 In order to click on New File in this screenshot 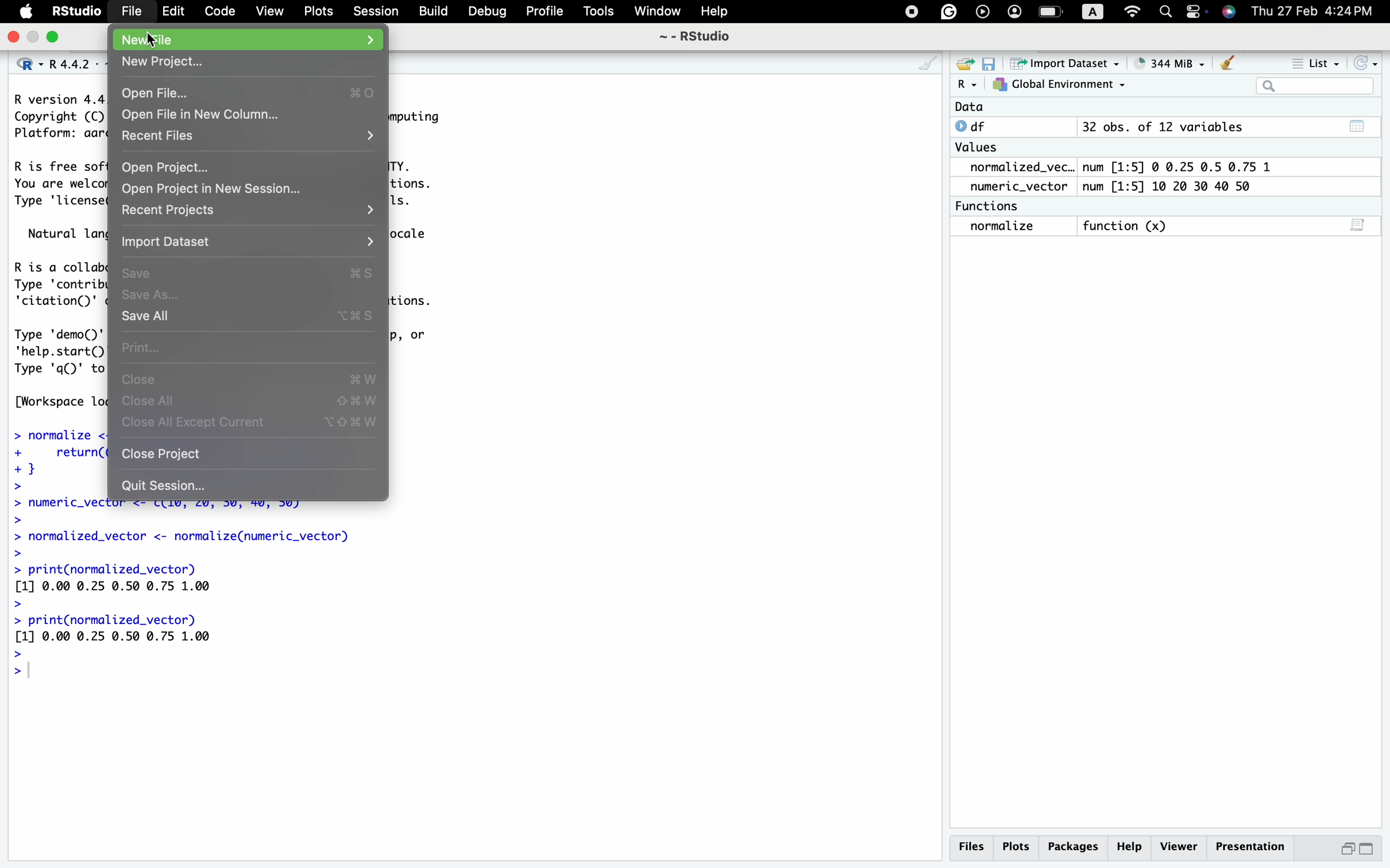, I will do `click(147, 40)`.